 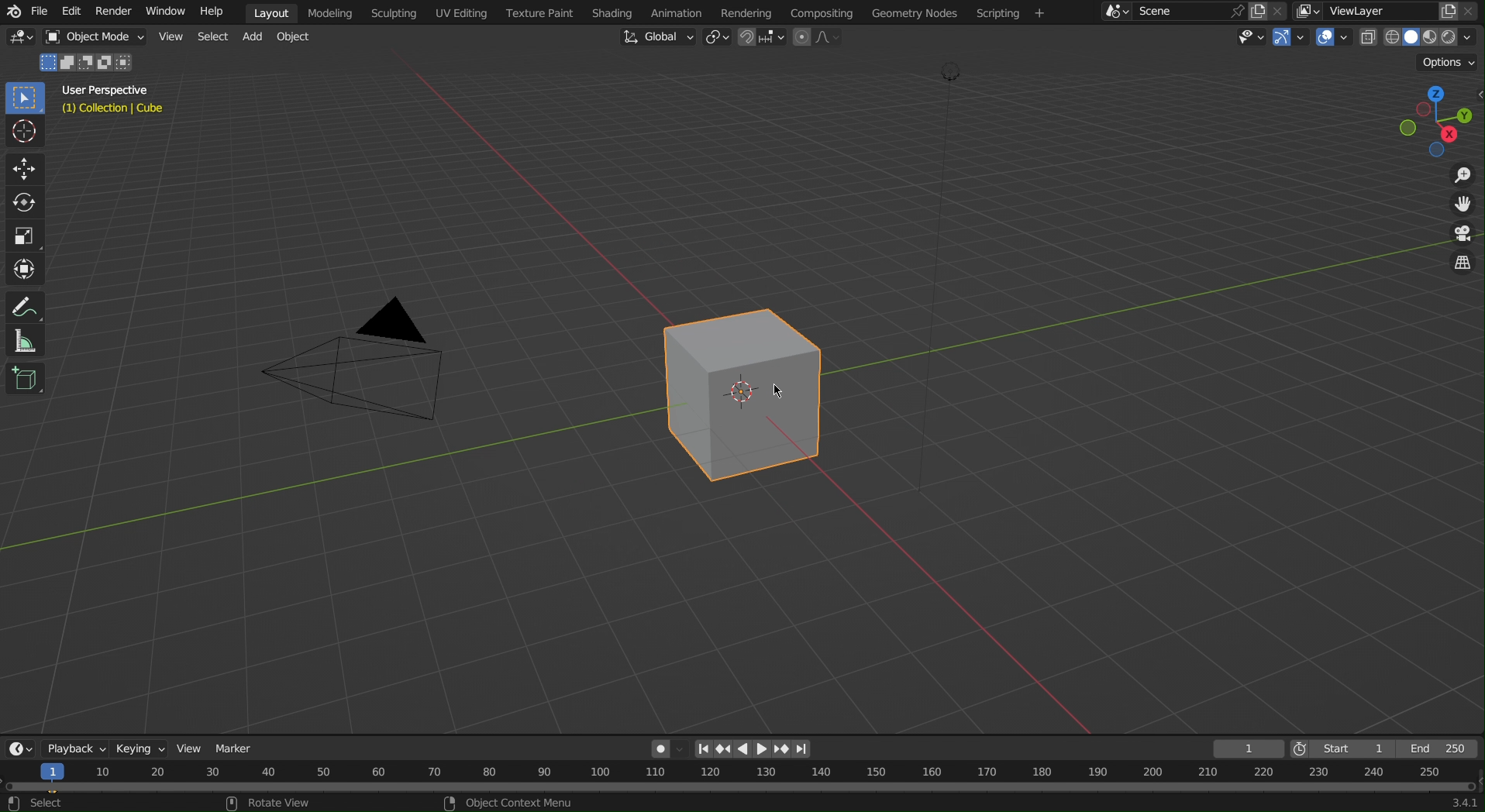 What do you see at coordinates (914, 13) in the screenshot?
I see `Geometry Nodes` at bounding box center [914, 13].